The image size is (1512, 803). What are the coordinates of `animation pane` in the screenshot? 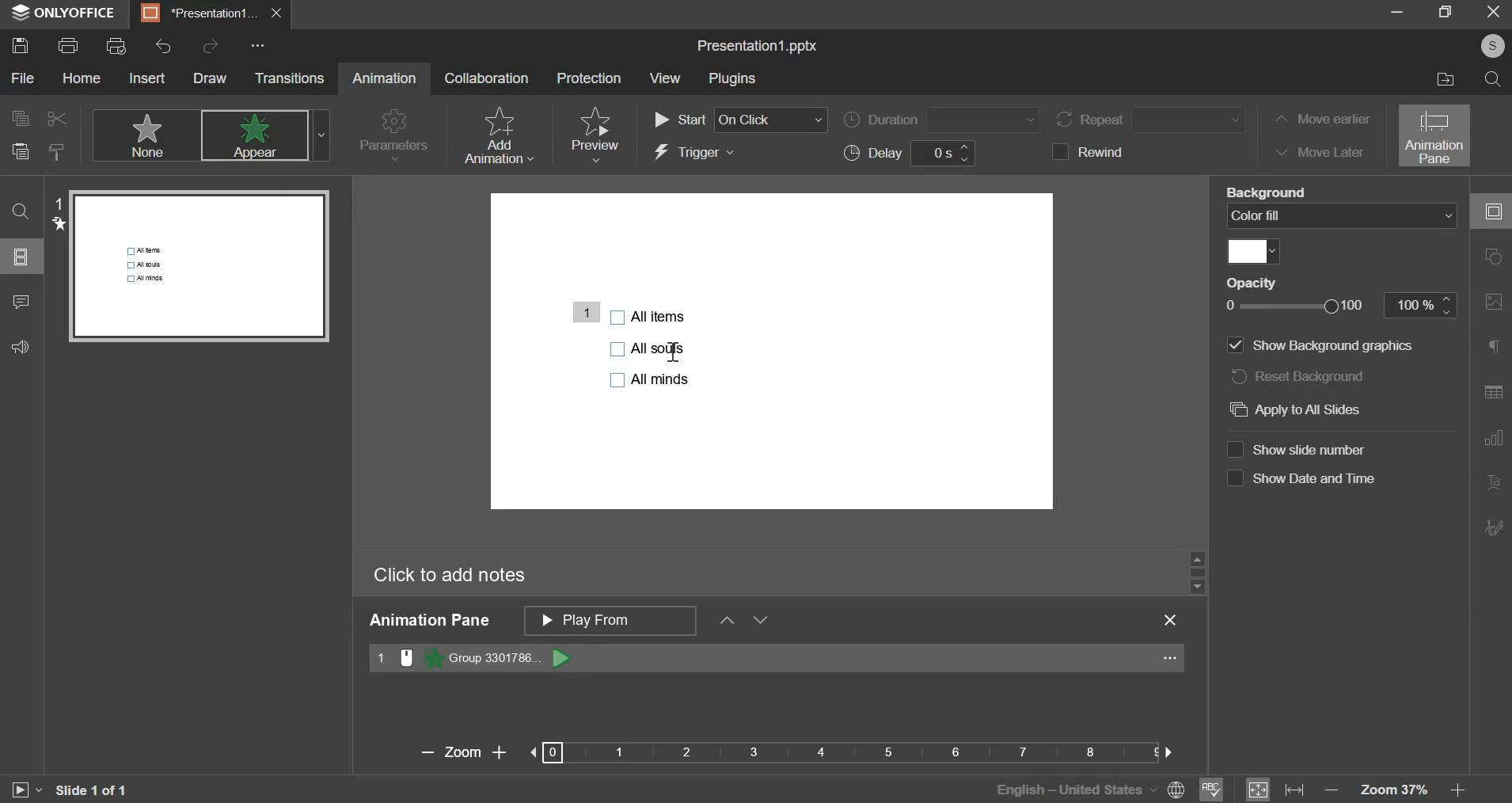 It's located at (1435, 135).